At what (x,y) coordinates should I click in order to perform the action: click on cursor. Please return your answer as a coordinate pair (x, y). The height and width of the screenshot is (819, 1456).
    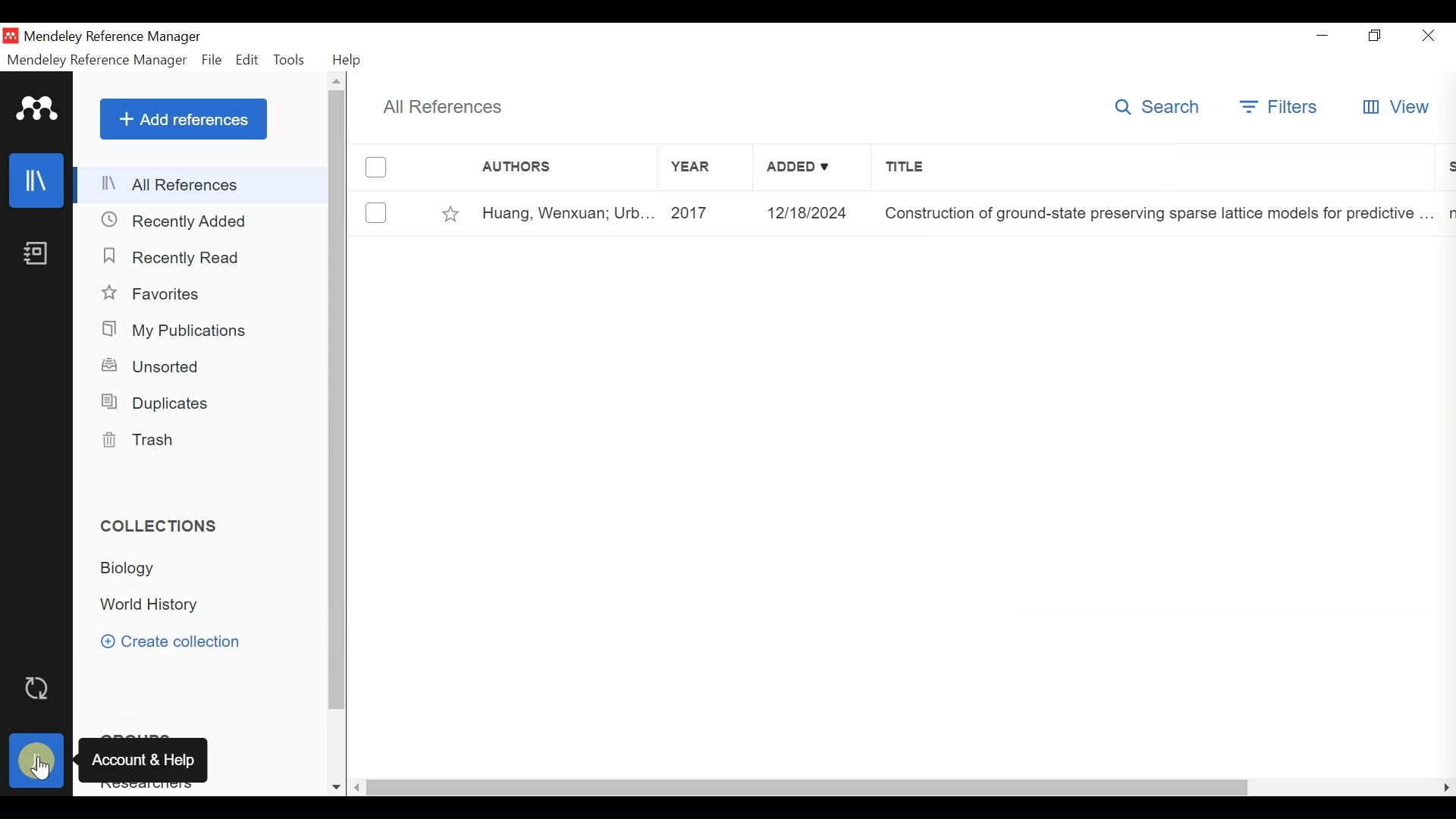
    Looking at the image, I should click on (43, 769).